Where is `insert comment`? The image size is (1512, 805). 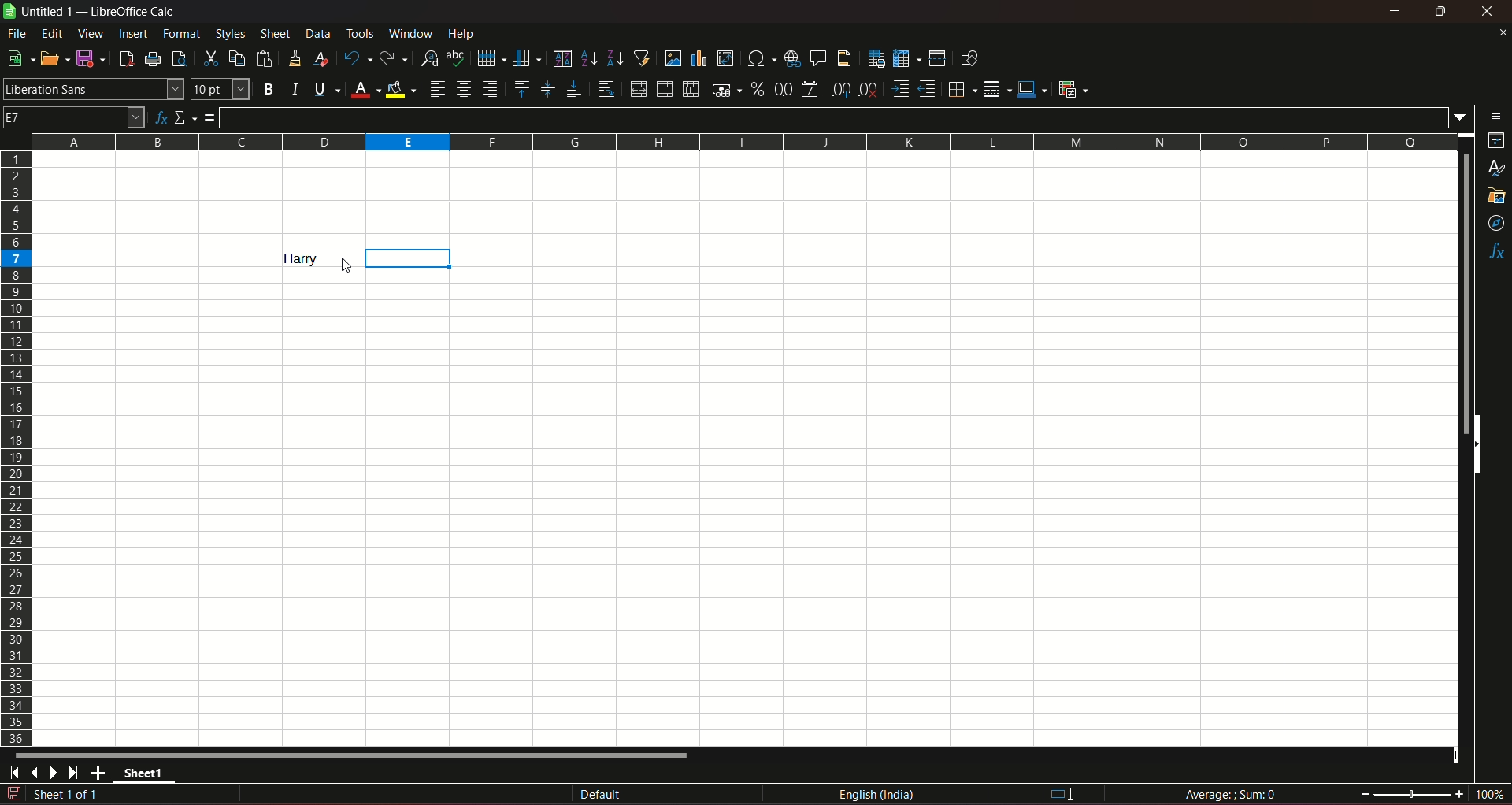 insert comment is located at coordinates (817, 57).